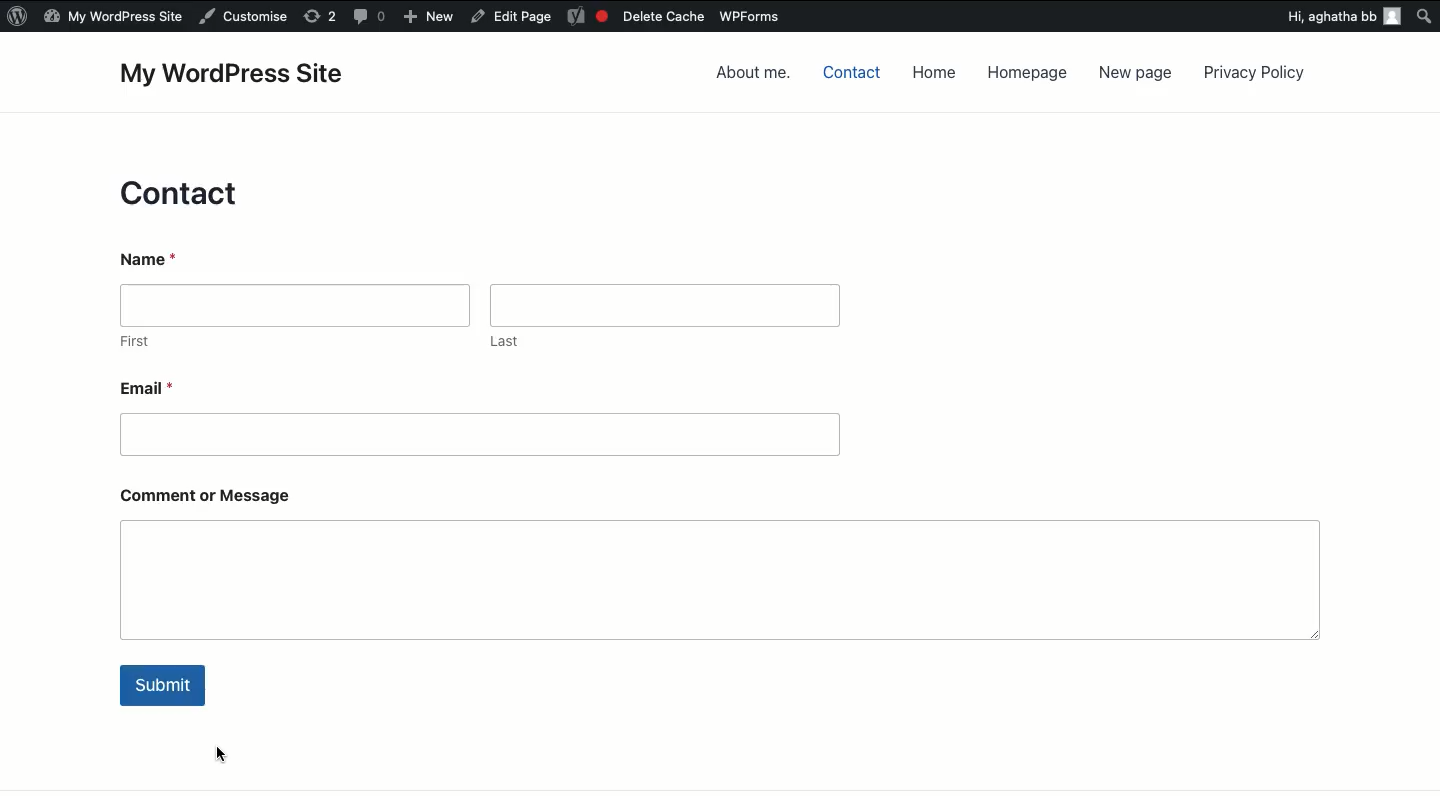 Image resolution: width=1440 pixels, height=796 pixels. Describe the element at coordinates (763, 17) in the screenshot. I see `WPForms.` at that location.